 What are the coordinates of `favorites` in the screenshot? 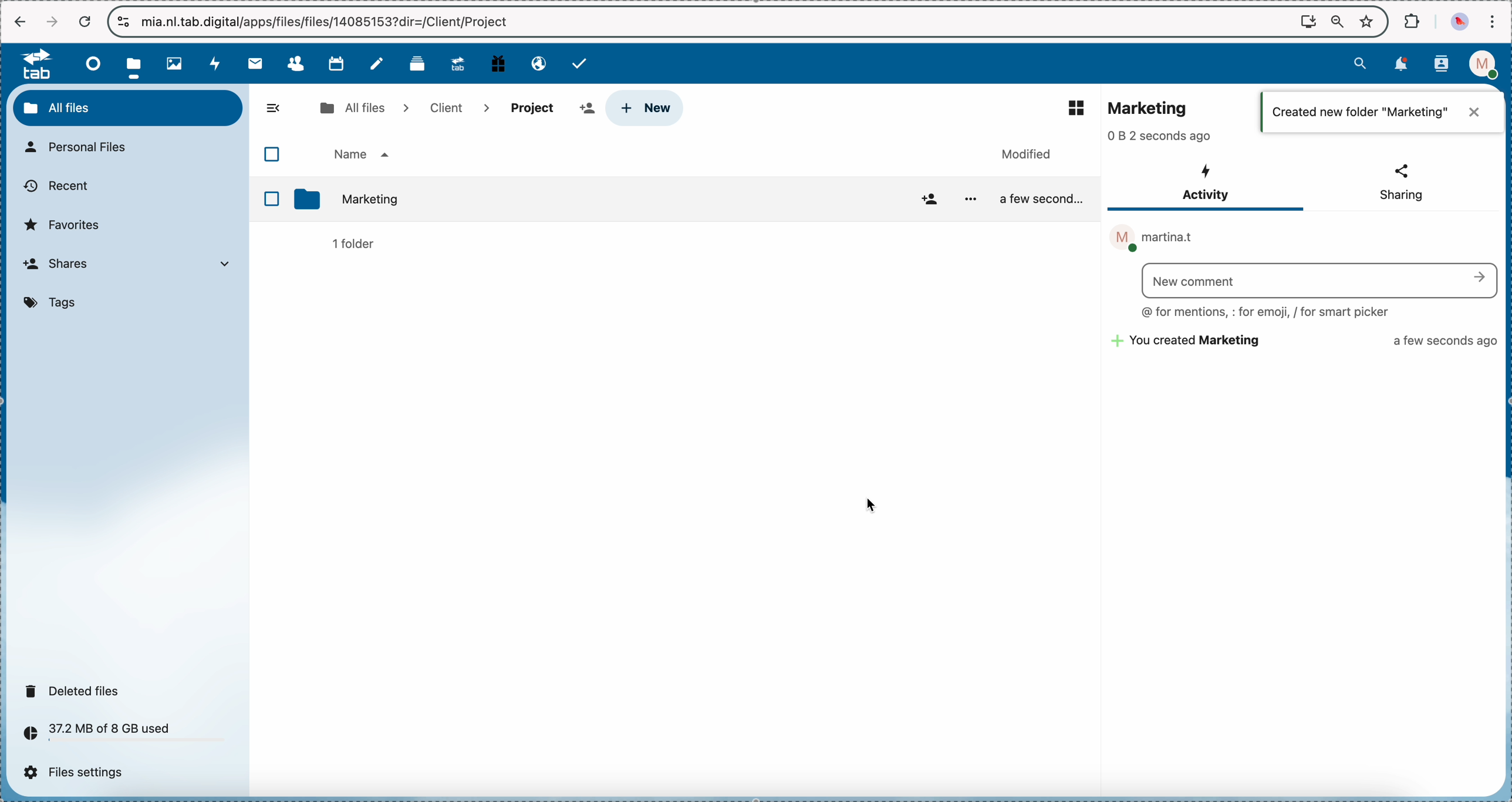 It's located at (1369, 21).